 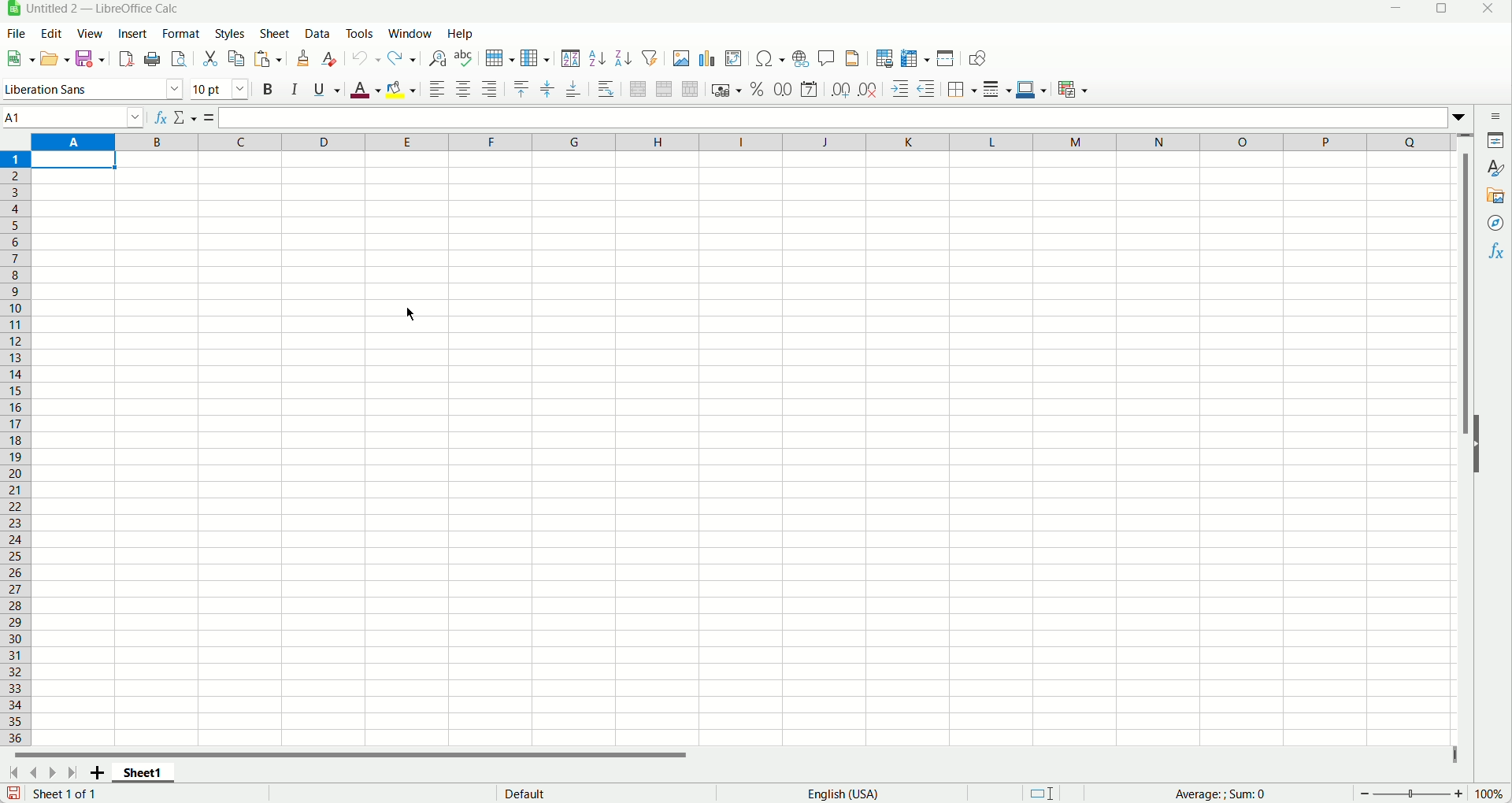 What do you see at coordinates (210, 58) in the screenshot?
I see `Cut` at bounding box center [210, 58].